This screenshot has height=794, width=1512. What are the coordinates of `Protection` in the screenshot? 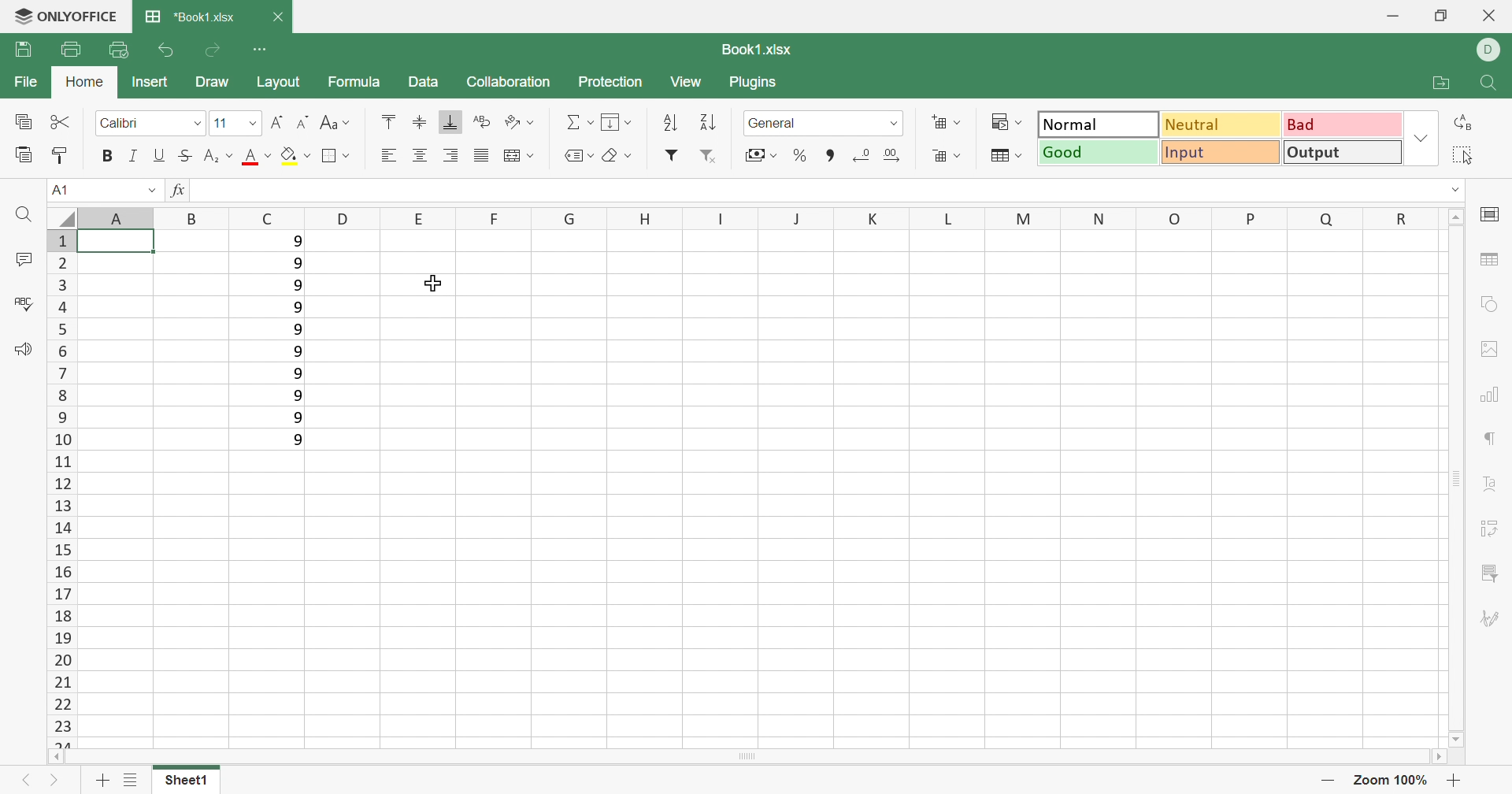 It's located at (617, 86).